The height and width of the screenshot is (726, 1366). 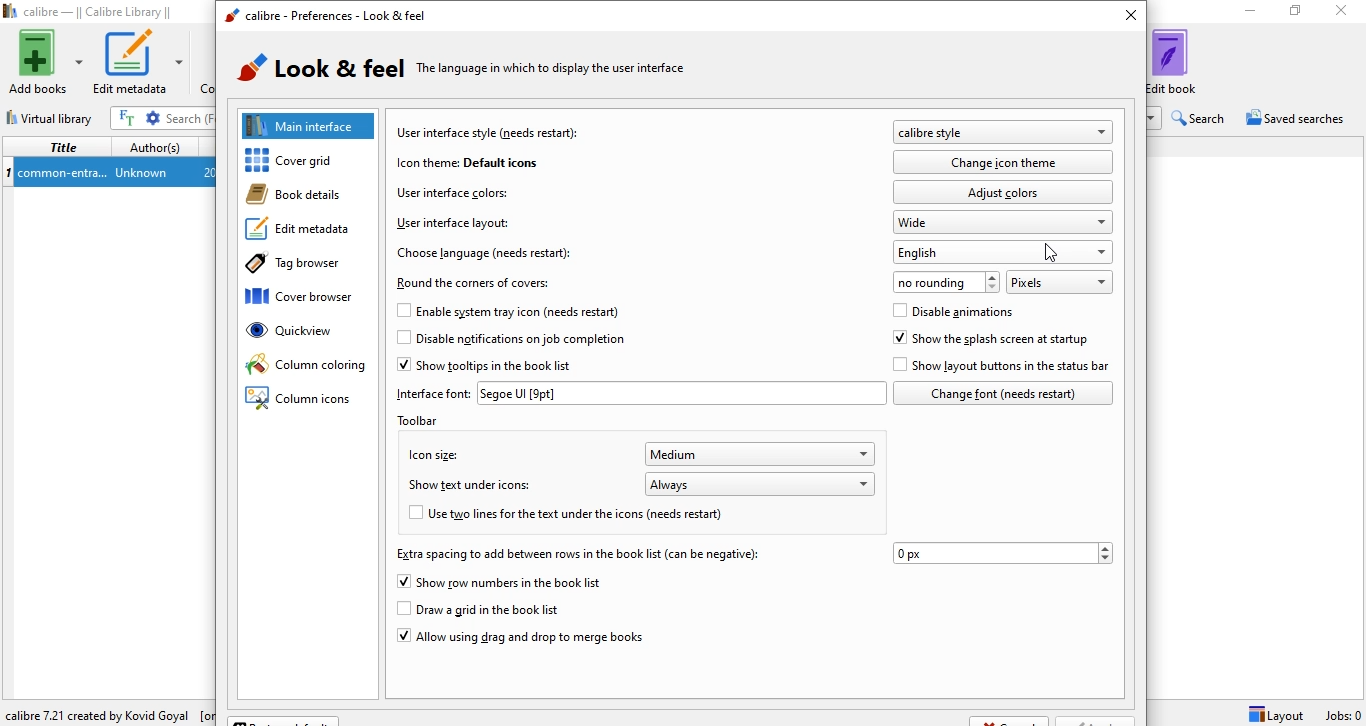 What do you see at coordinates (451, 223) in the screenshot?
I see `user interface layout` at bounding box center [451, 223].